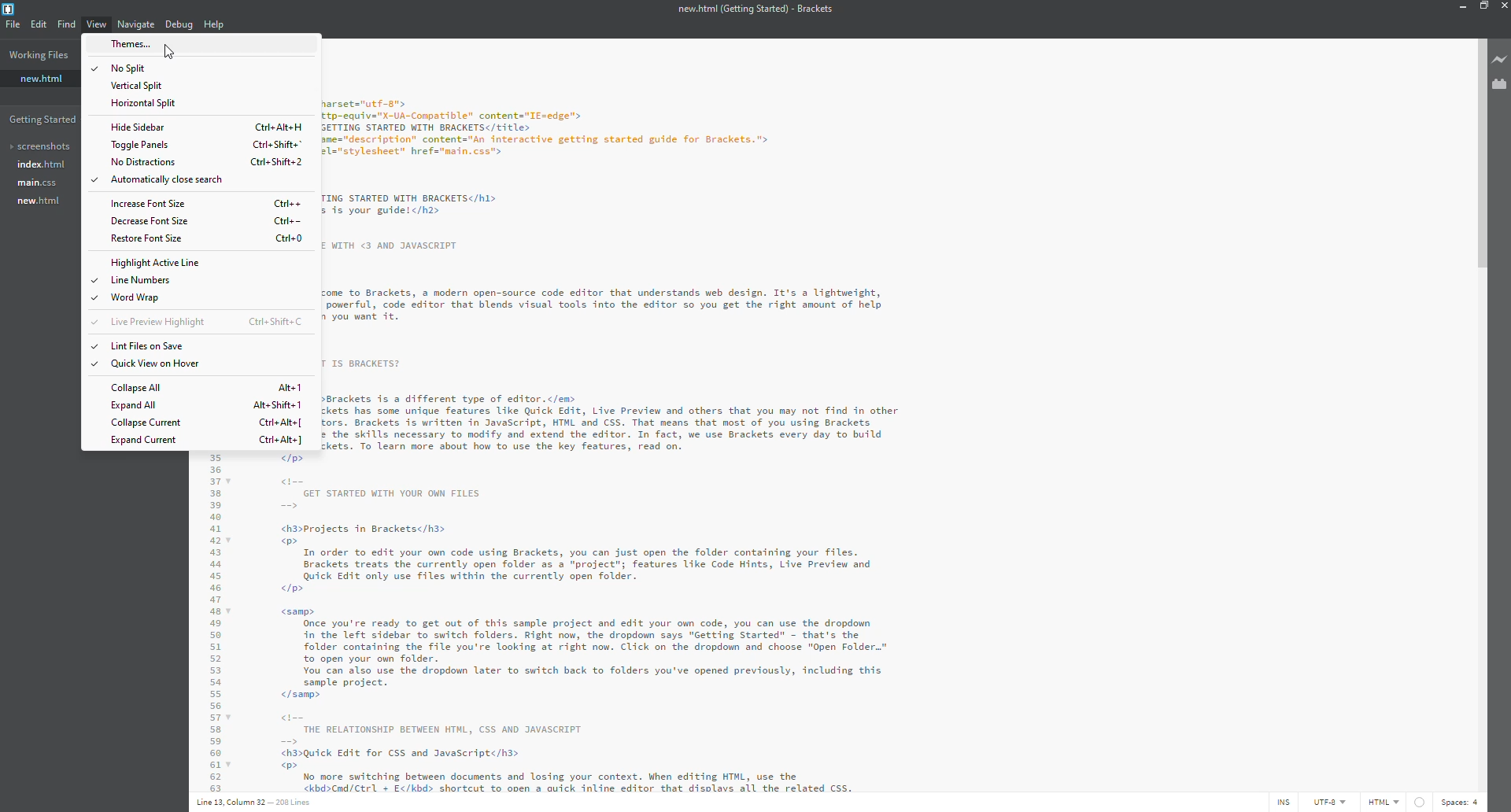  What do you see at coordinates (277, 322) in the screenshot?
I see `shortcut` at bounding box center [277, 322].